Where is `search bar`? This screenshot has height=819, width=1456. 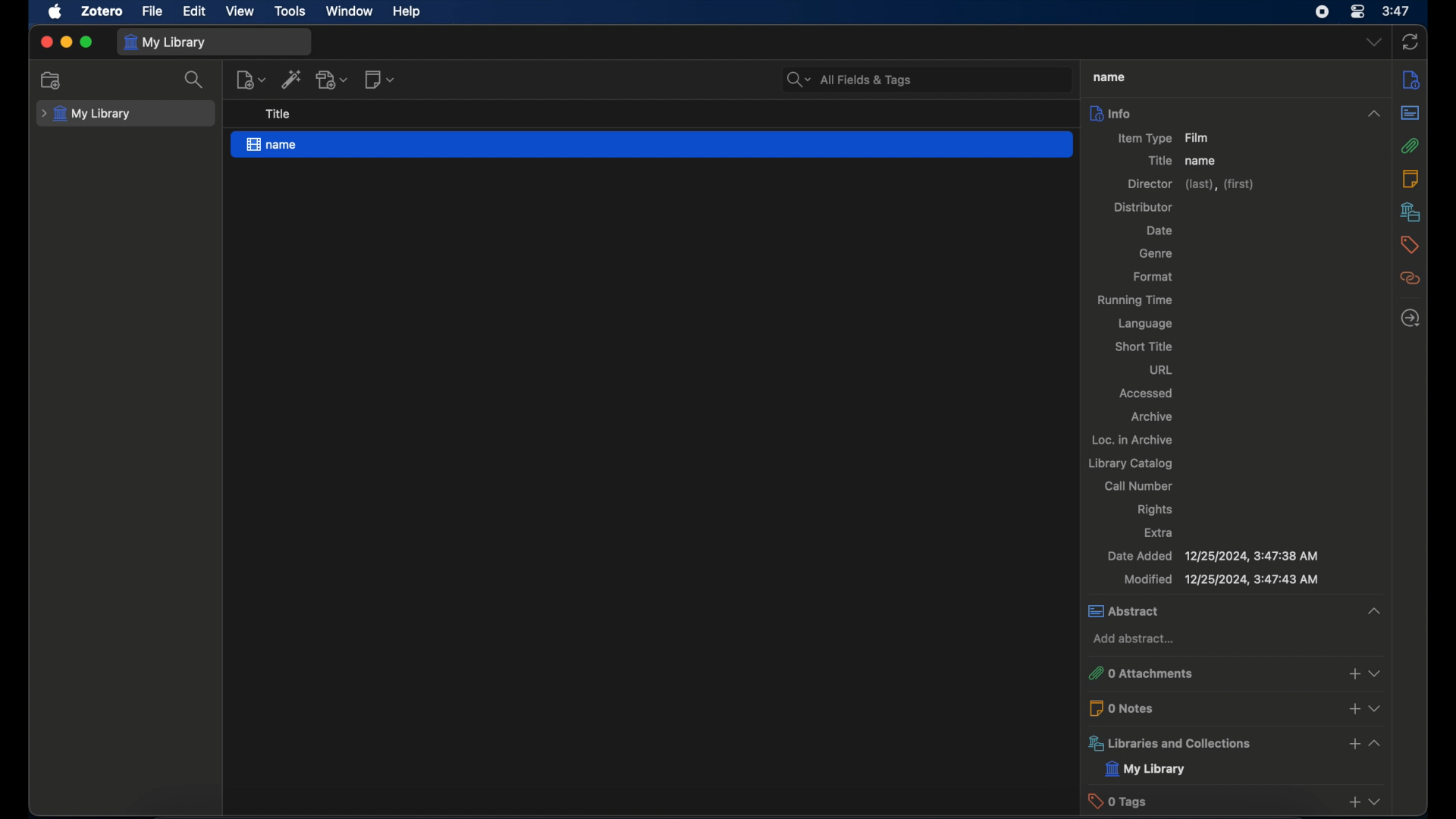
search bar is located at coordinates (849, 80).